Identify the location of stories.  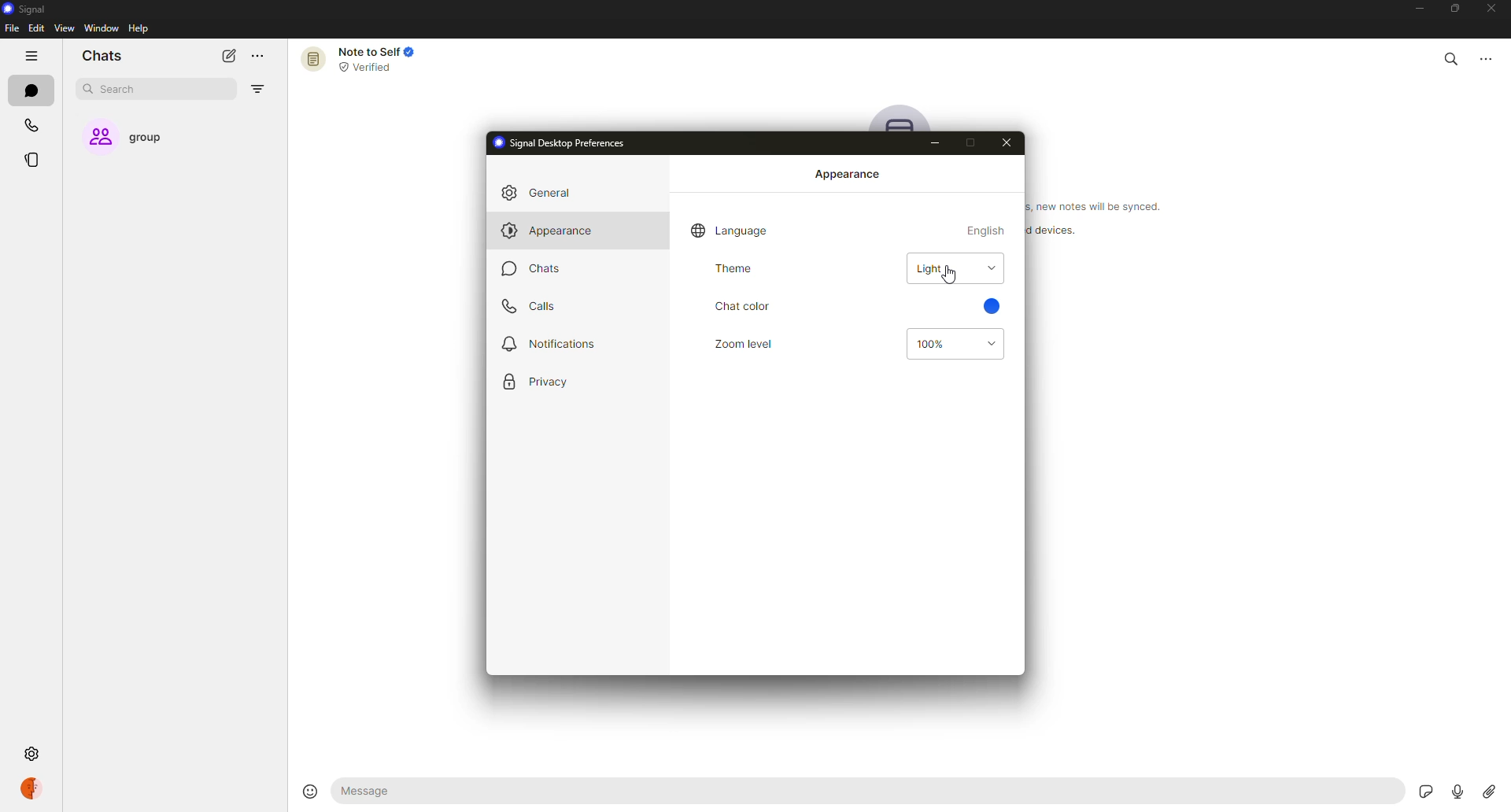
(36, 160).